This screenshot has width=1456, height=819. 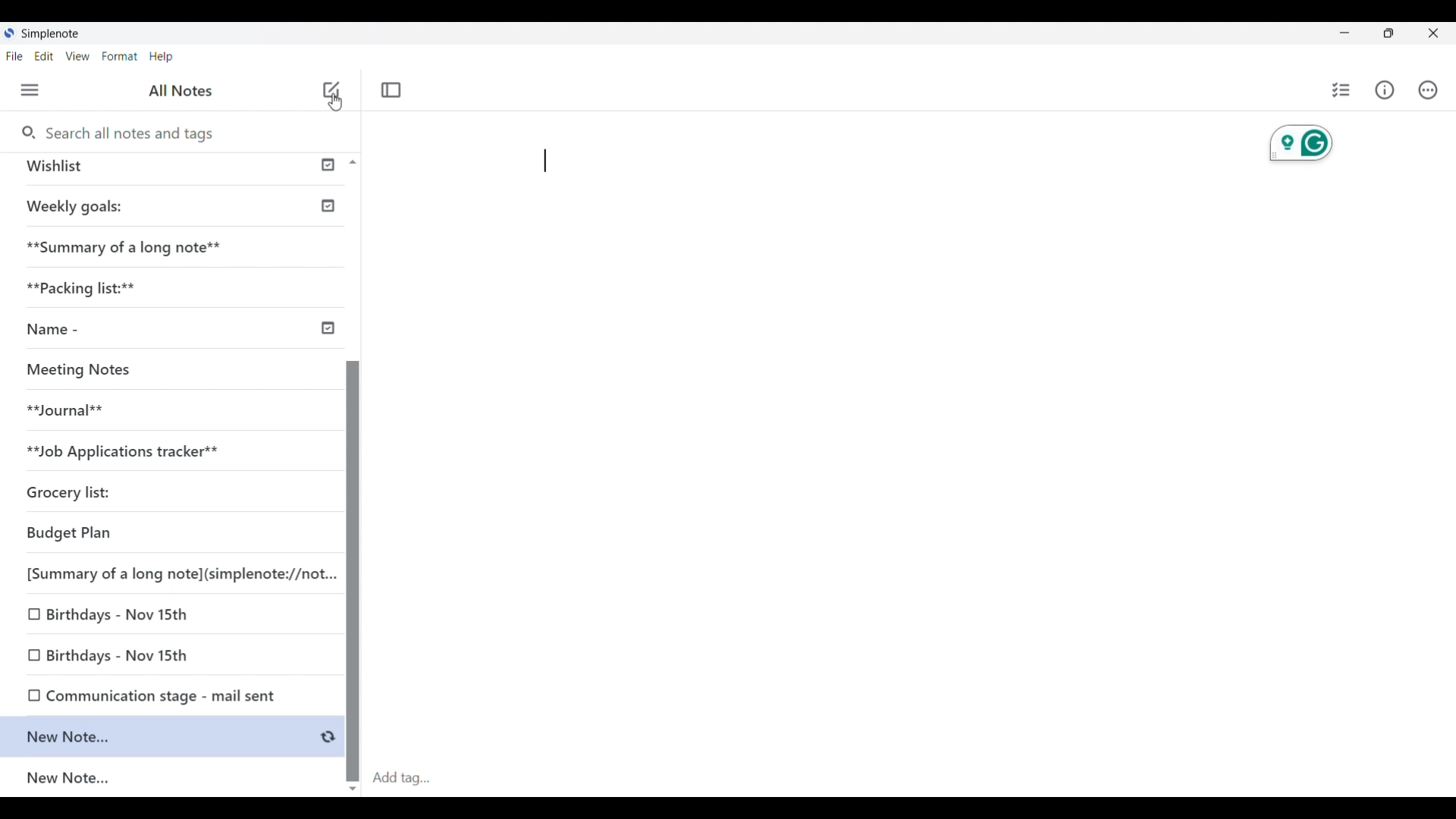 I want to click on Budget Plan, so click(x=80, y=535).